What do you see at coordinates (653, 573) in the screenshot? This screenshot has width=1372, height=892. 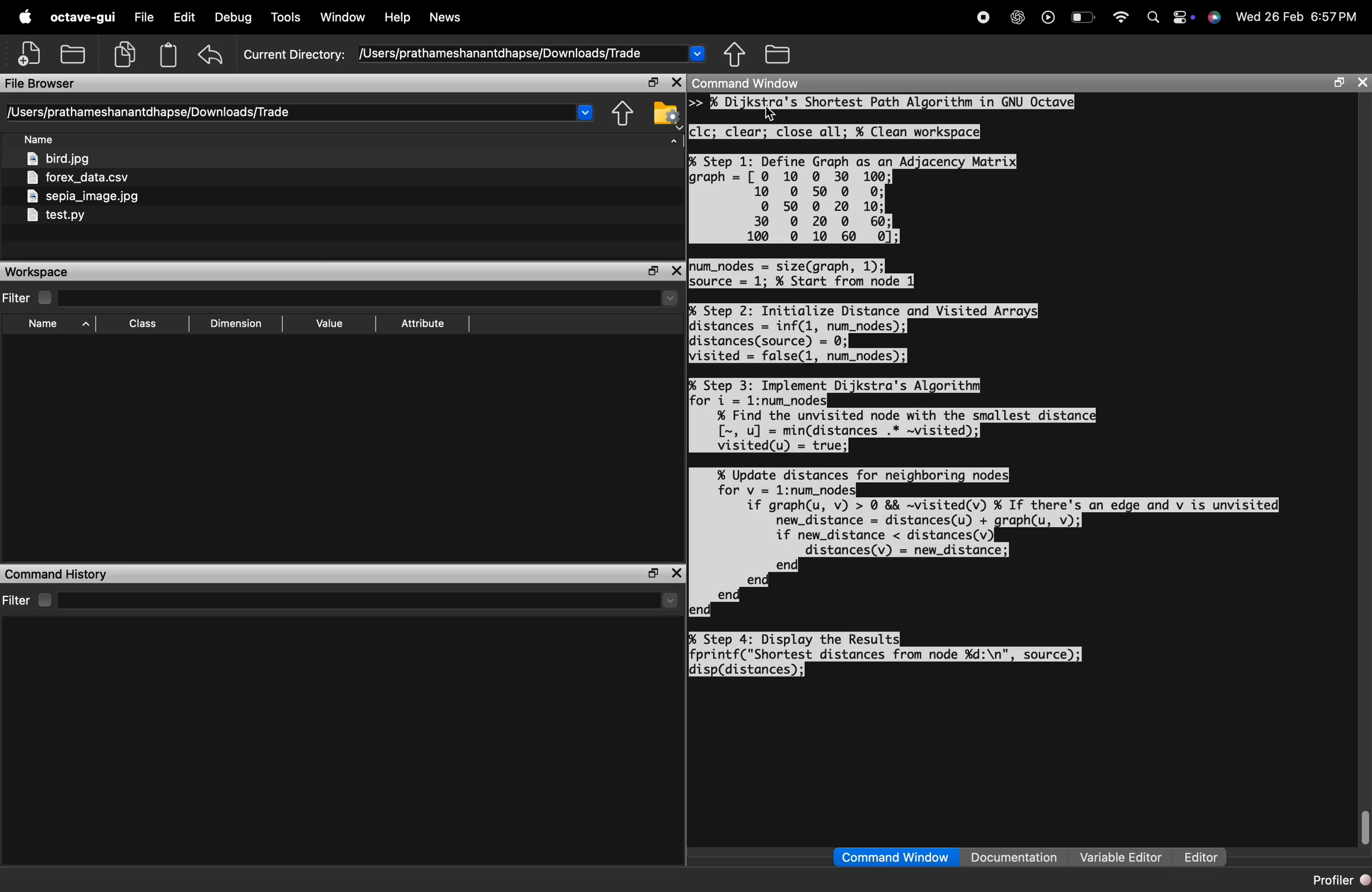 I see `maximize` at bounding box center [653, 573].